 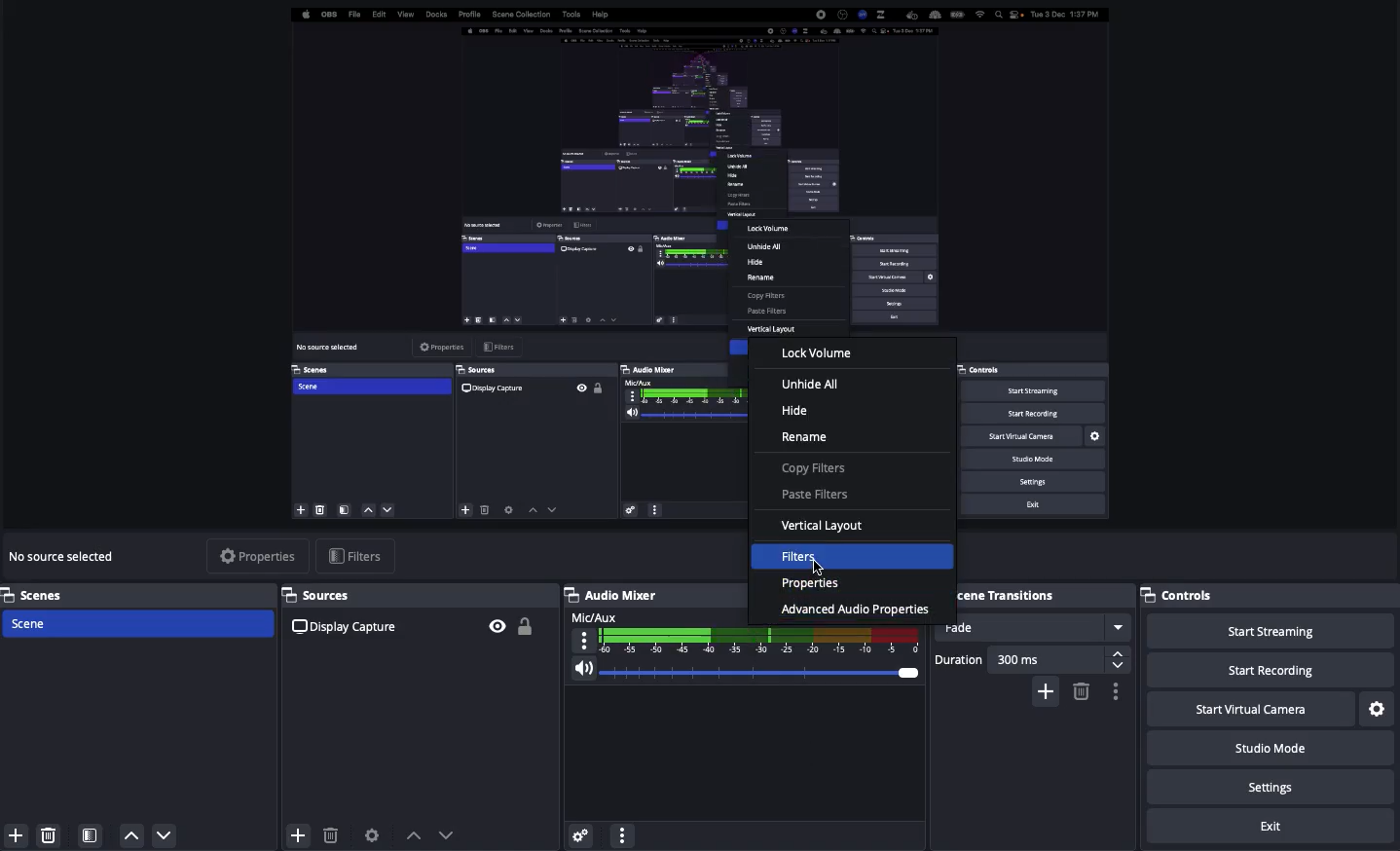 What do you see at coordinates (1271, 672) in the screenshot?
I see `Start recording` at bounding box center [1271, 672].